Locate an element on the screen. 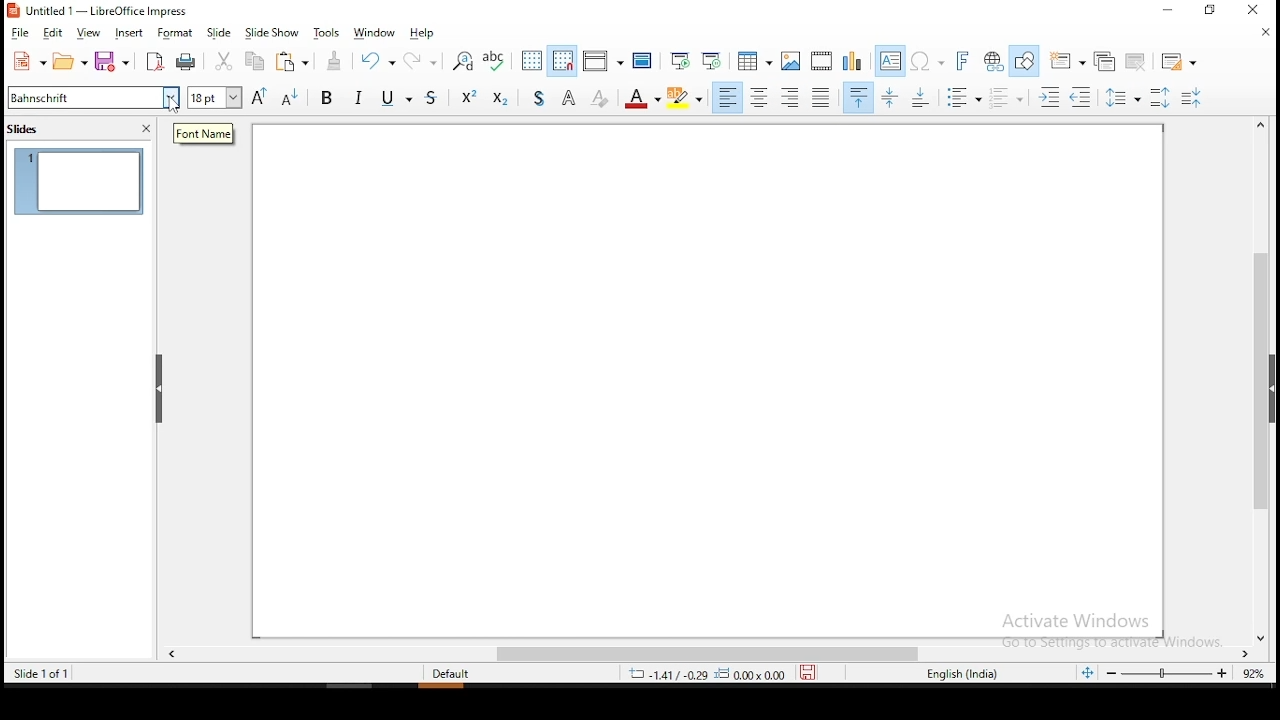 This screenshot has width=1280, height=720. fit slide to current window is located at coordinates (1087, 672).